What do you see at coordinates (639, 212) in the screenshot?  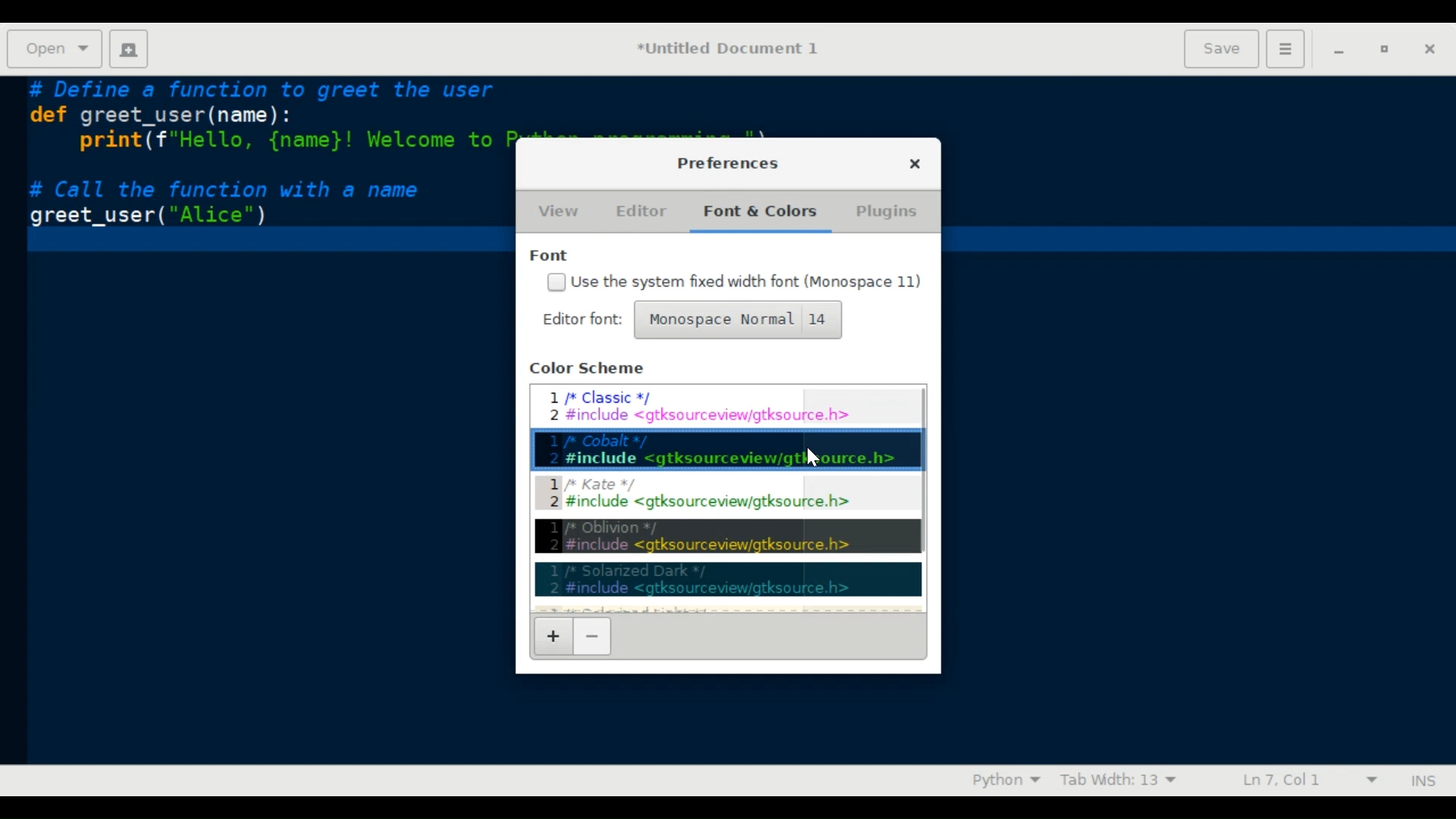 I see `Editor ` at bounding box center [639, 212].